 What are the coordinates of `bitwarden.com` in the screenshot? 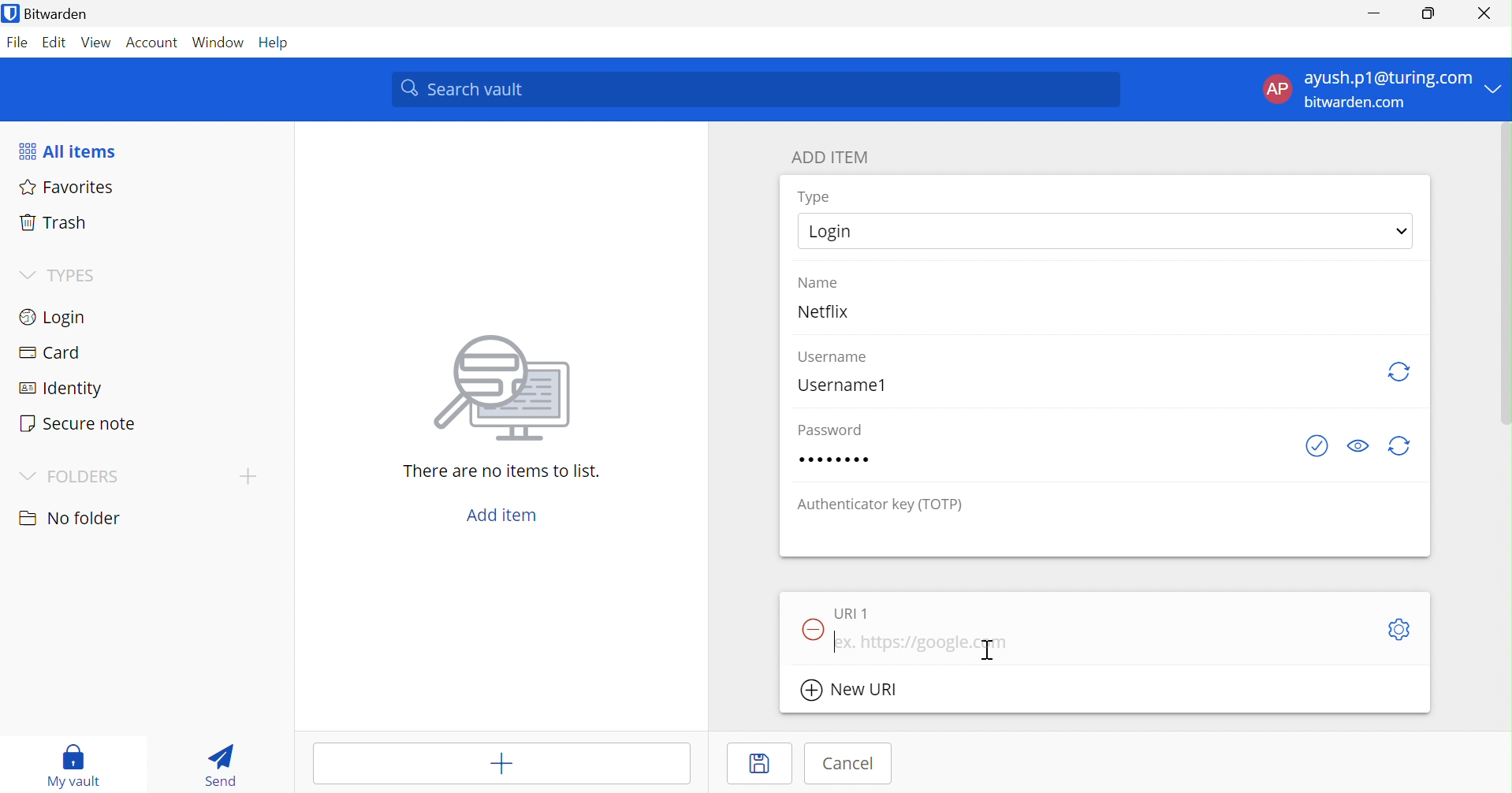 It's located at (1354, 102).